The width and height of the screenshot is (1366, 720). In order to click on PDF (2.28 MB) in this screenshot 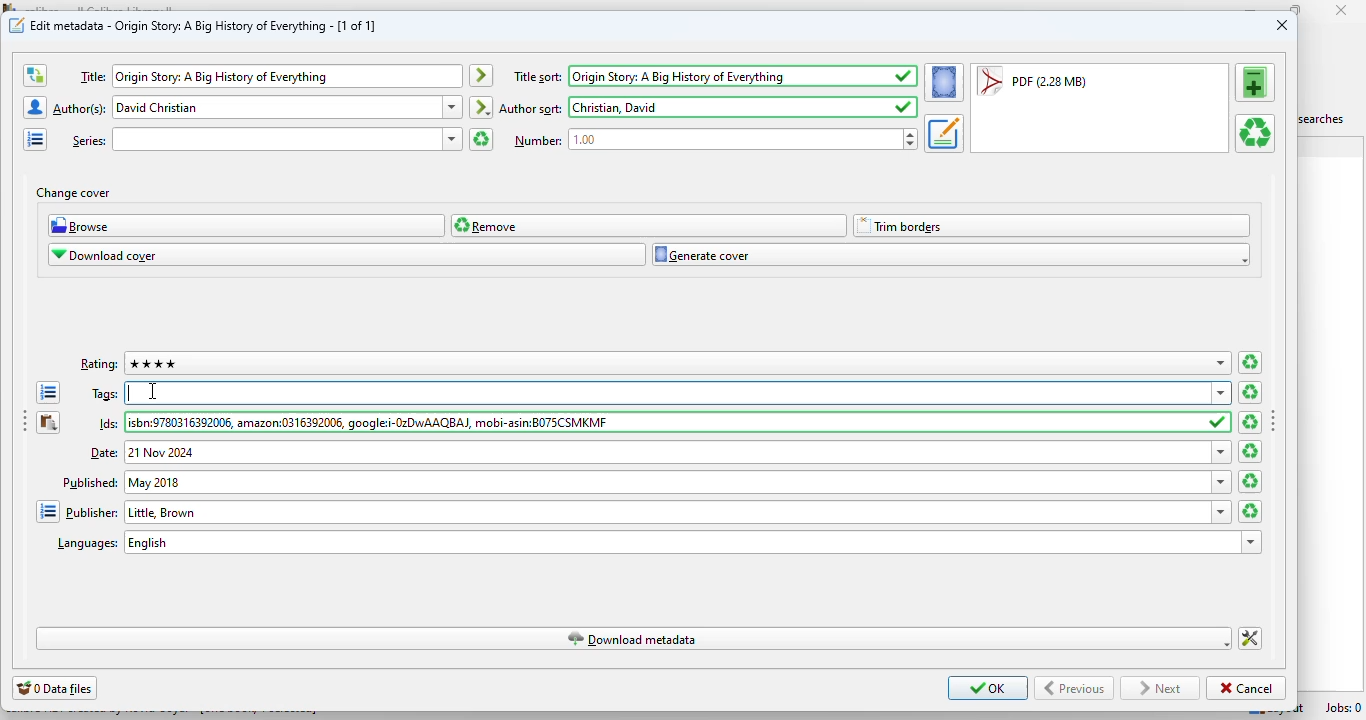, I will do `click(1032, 82)`.